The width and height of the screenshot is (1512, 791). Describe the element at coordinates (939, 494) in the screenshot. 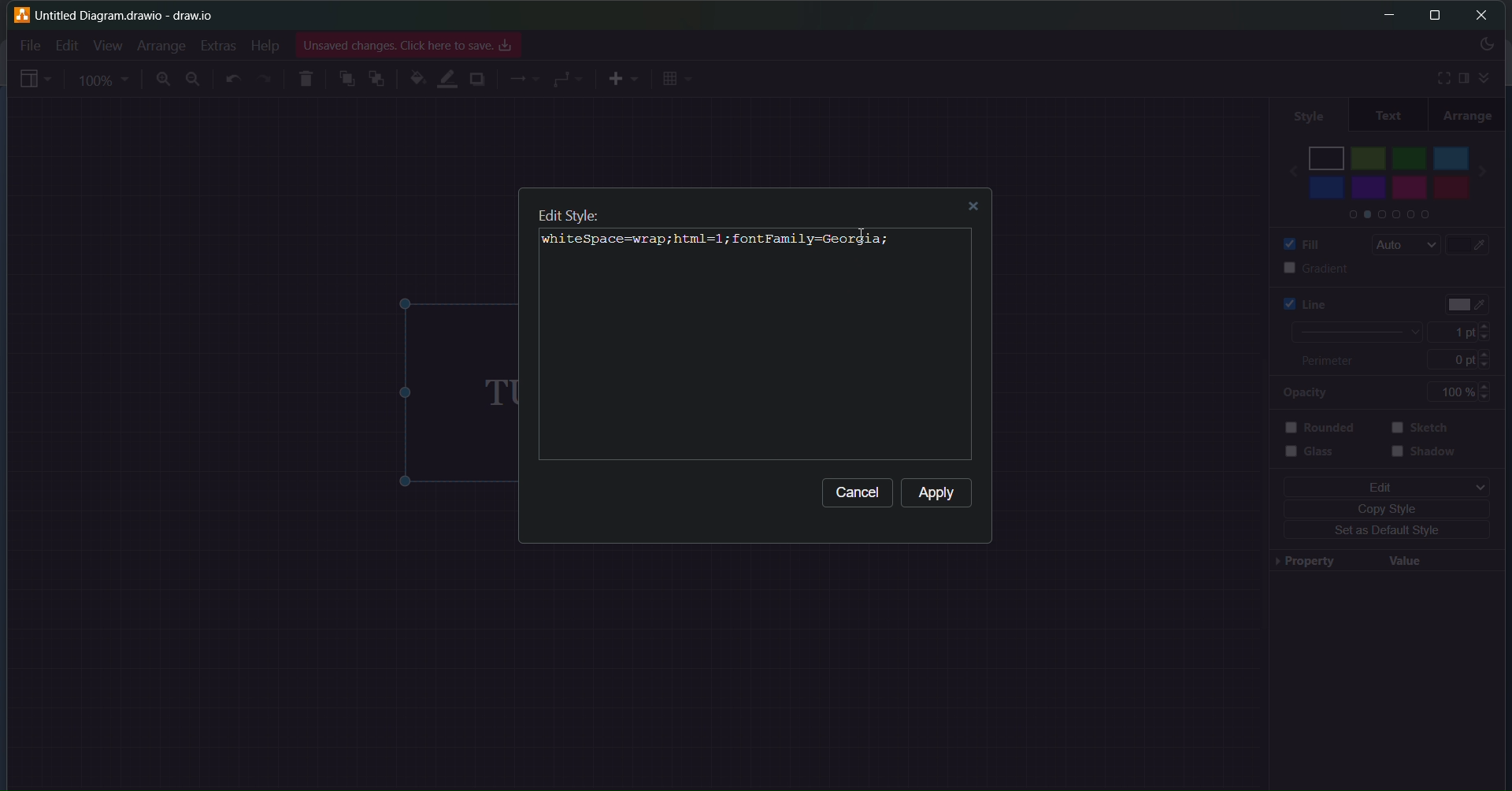

I see `Apply` at that location.